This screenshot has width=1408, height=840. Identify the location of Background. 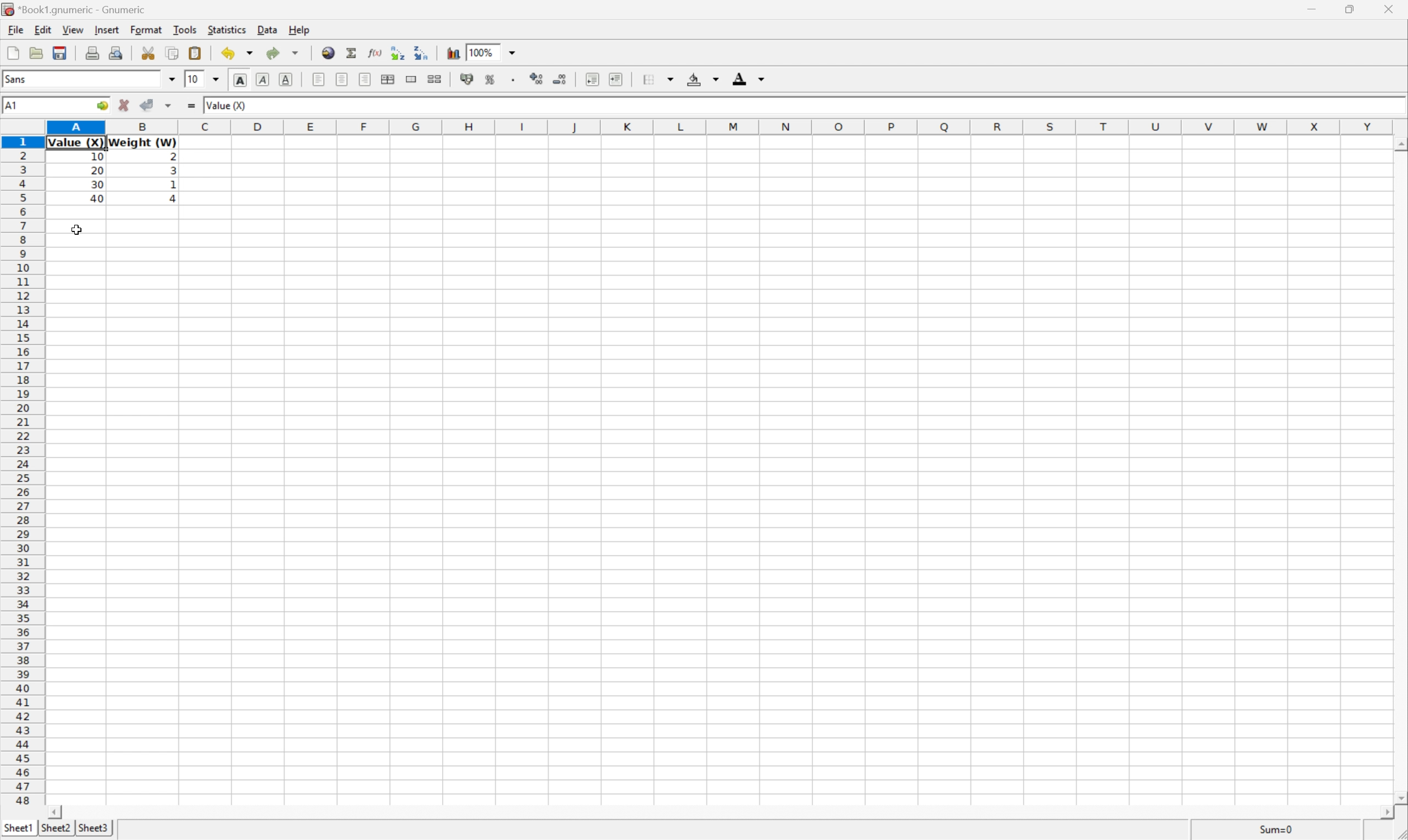
(703, 78).